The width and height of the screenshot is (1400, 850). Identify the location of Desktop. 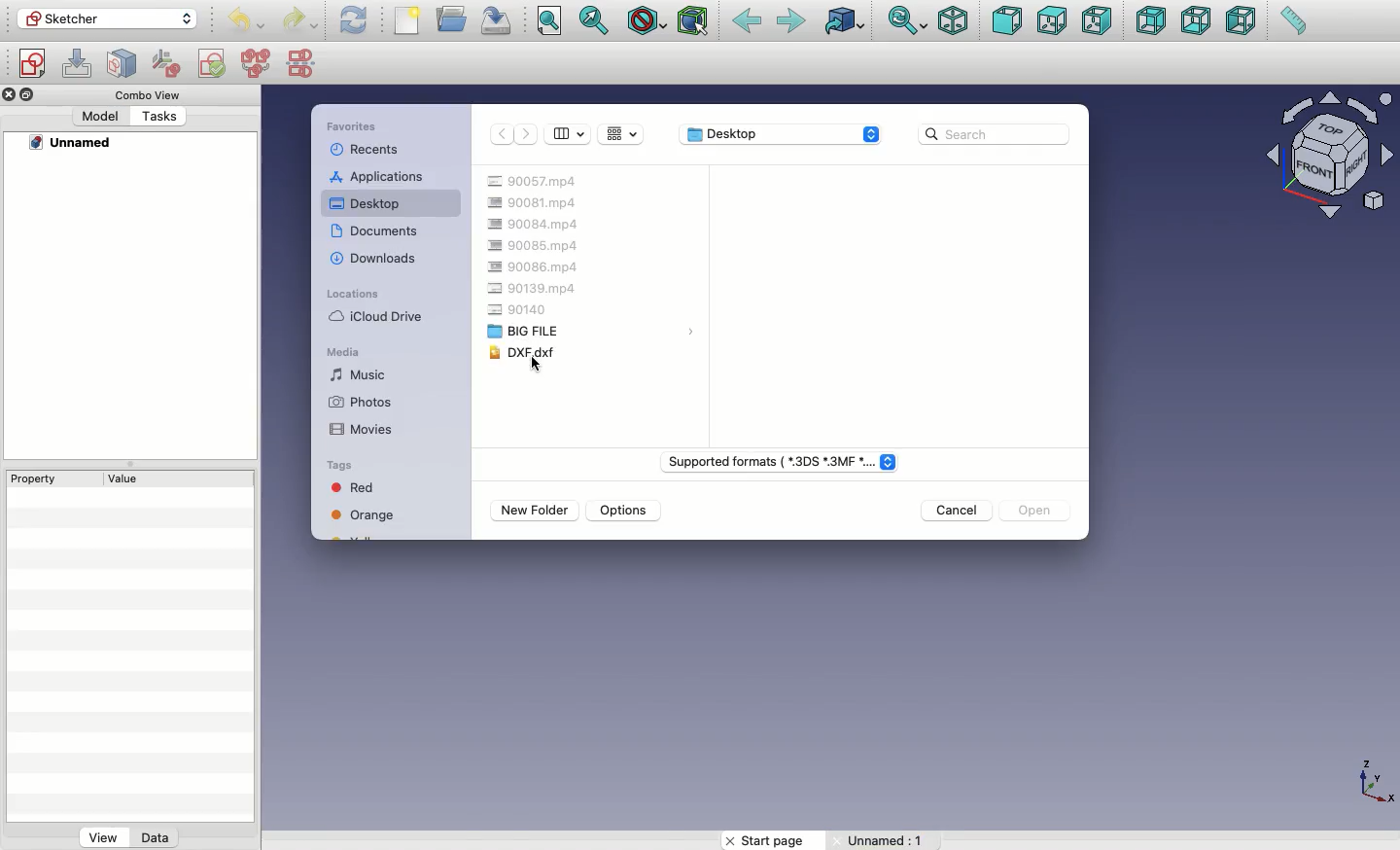
(780, 134).